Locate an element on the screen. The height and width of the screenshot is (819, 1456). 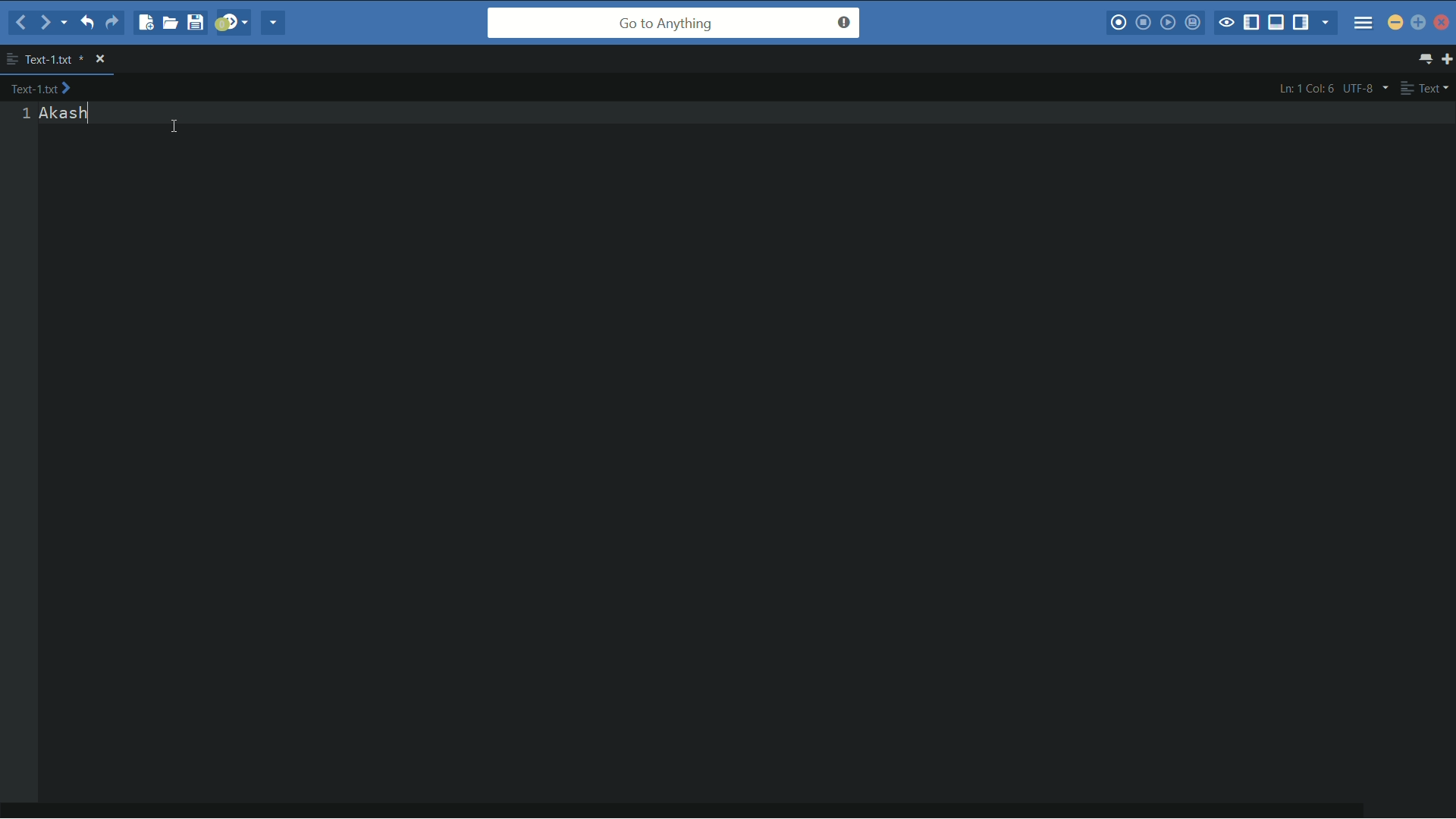
Line 1 Column 6 is located at coordinates (1304, 88).